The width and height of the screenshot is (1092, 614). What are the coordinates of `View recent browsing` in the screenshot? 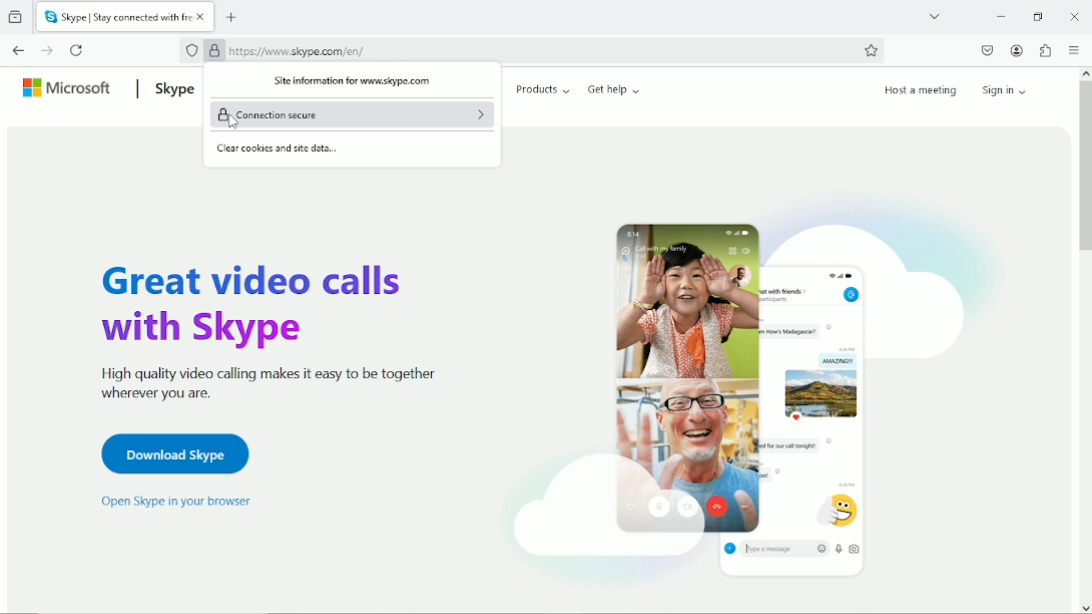 It's located at (17, 18).